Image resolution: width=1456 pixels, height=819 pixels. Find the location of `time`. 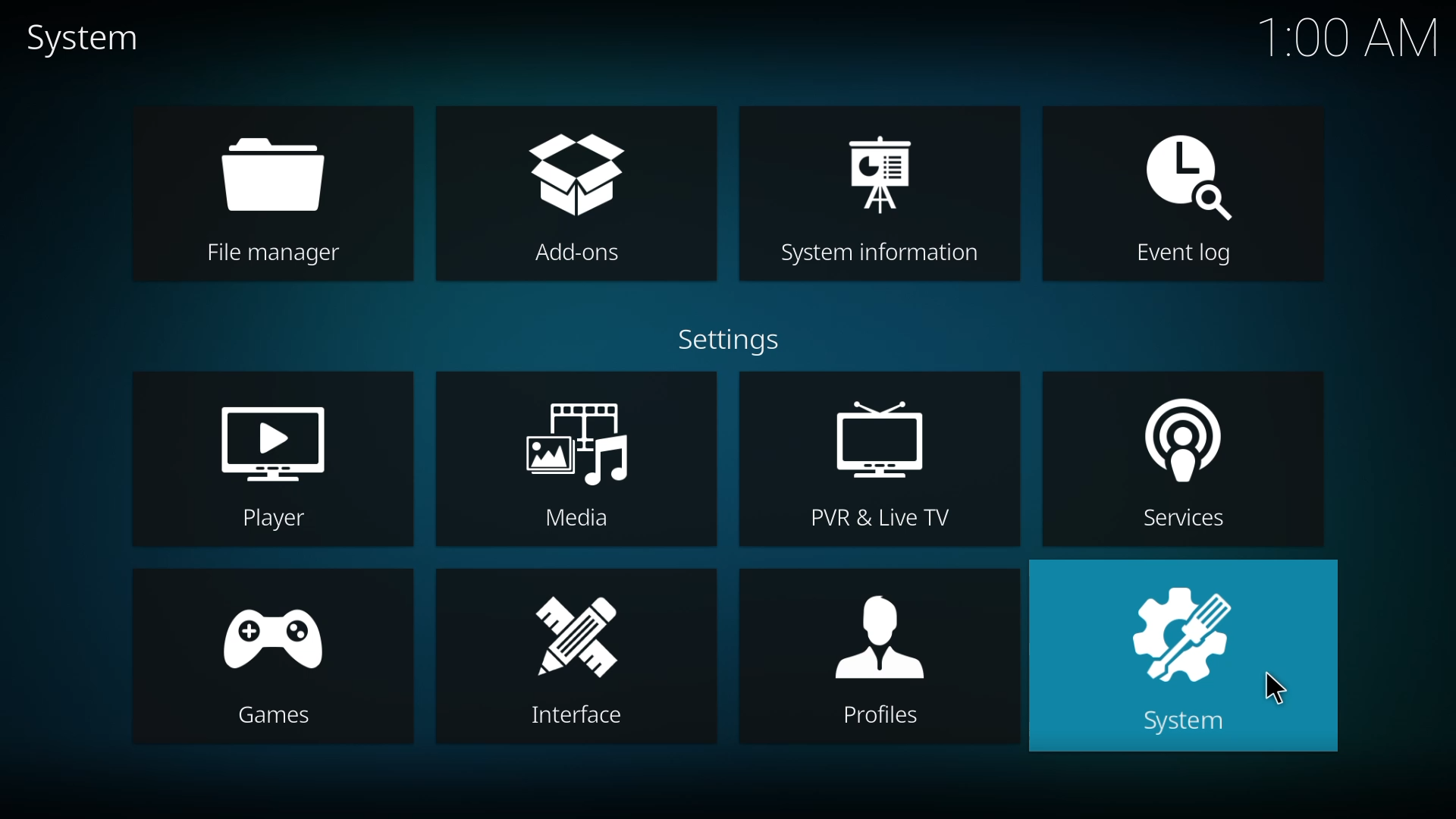

time is located at coordinates (1348, 40).